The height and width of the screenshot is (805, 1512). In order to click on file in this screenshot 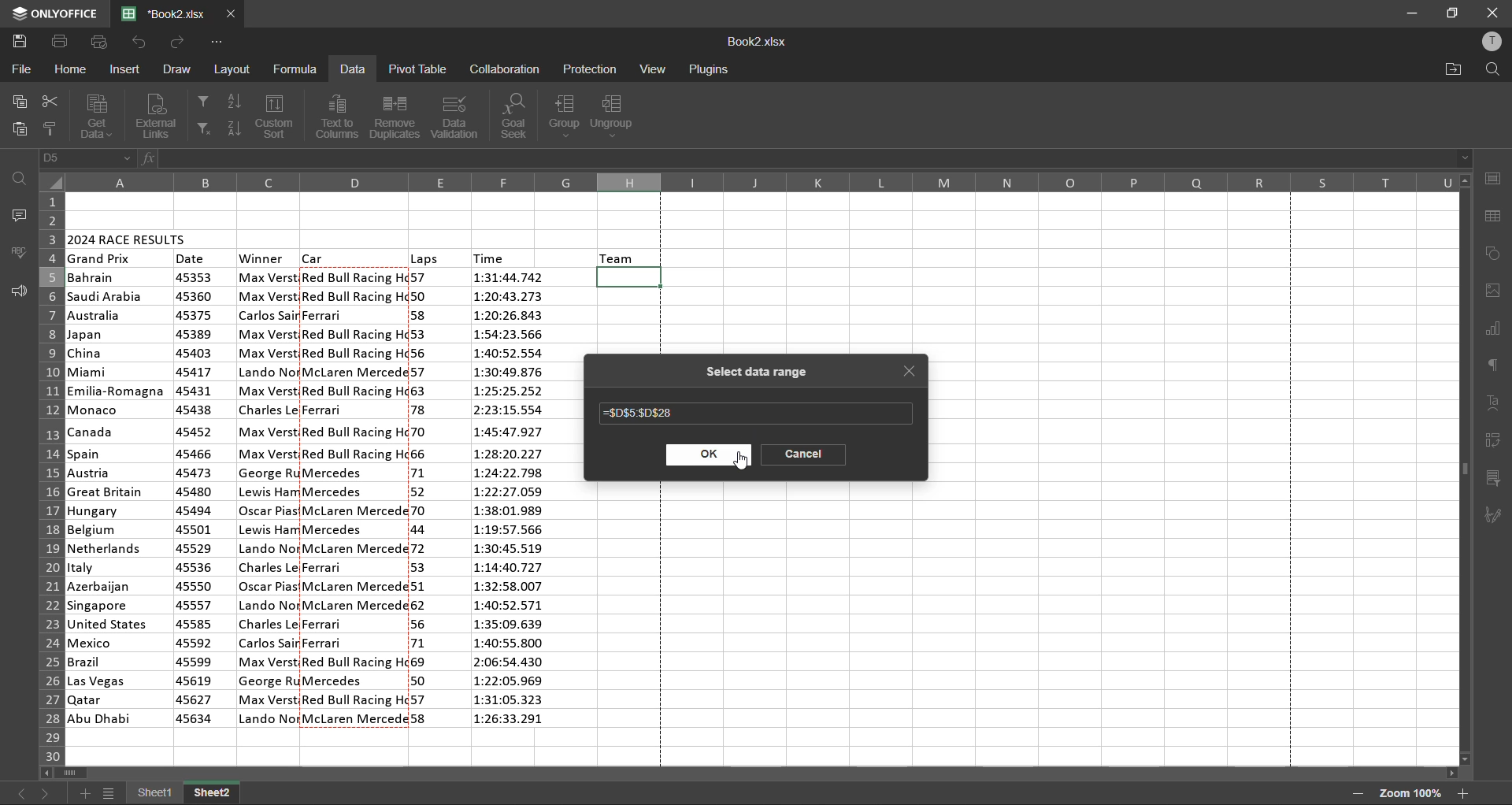, I will do `click(19, 69)`.